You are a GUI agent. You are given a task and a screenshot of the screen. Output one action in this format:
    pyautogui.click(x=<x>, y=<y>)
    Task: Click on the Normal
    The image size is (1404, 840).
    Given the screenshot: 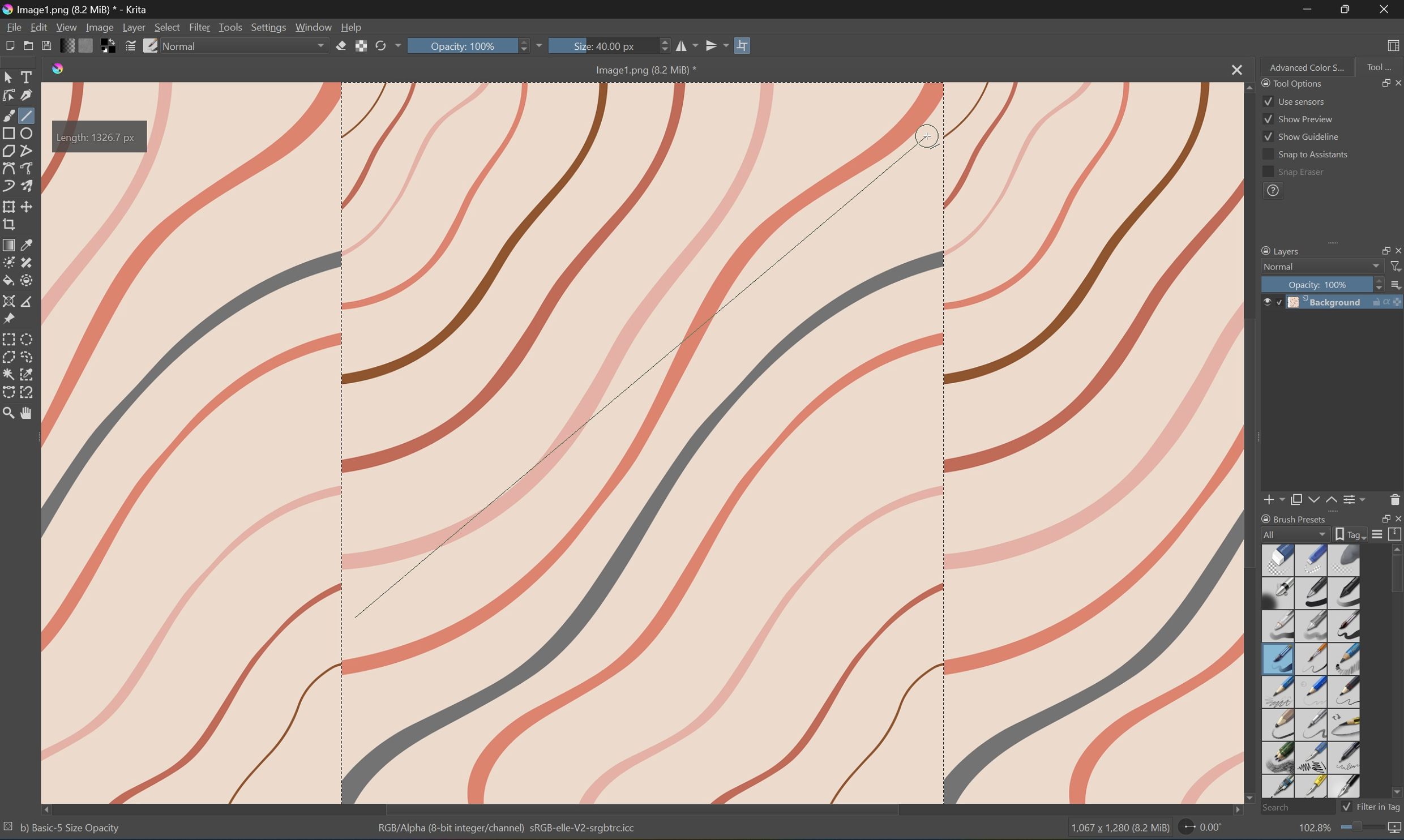 What is the action you would take?
    pyautogui.click(x=185, y=45)
    